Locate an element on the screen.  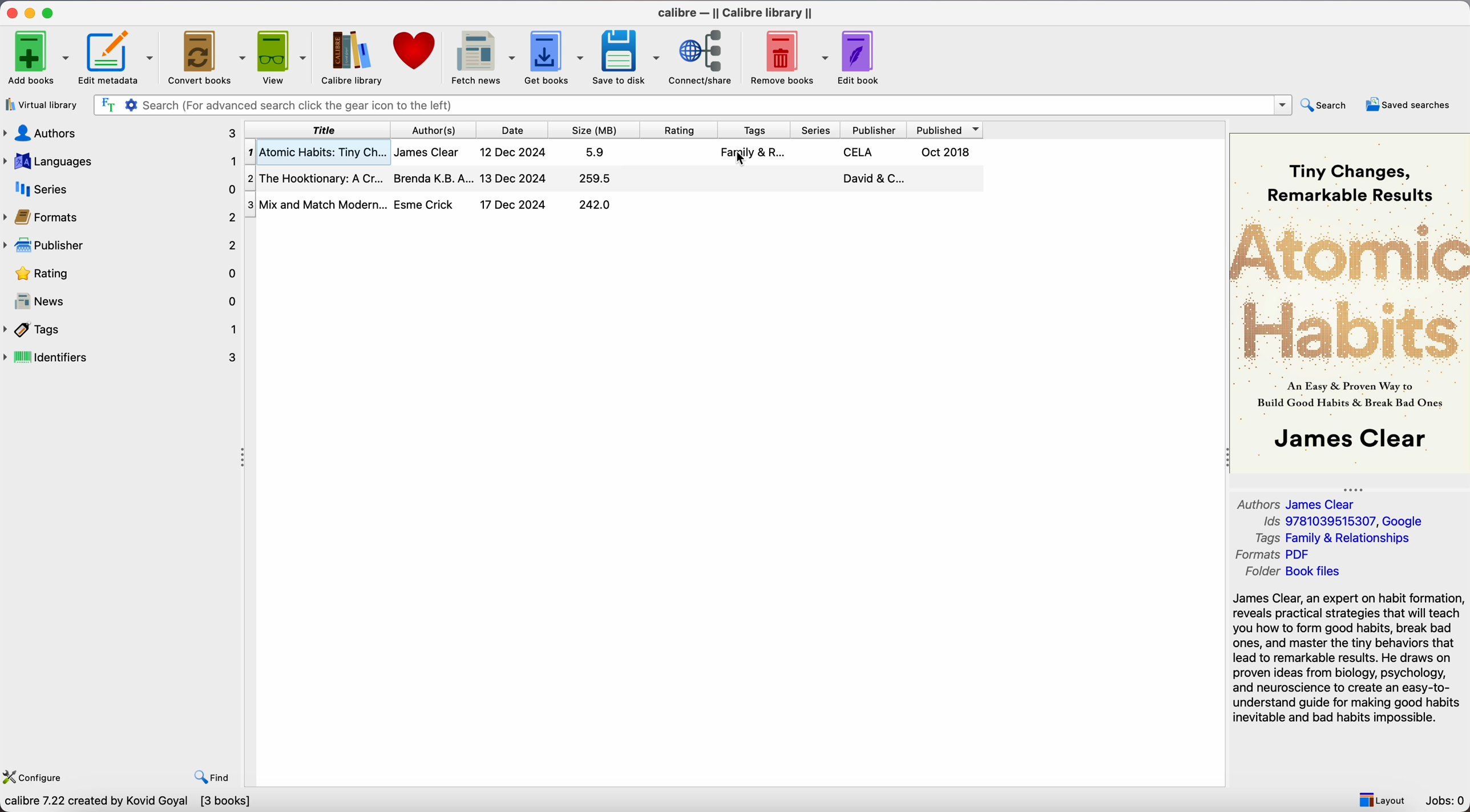
synopsis is located at coordinates (1348, 660).